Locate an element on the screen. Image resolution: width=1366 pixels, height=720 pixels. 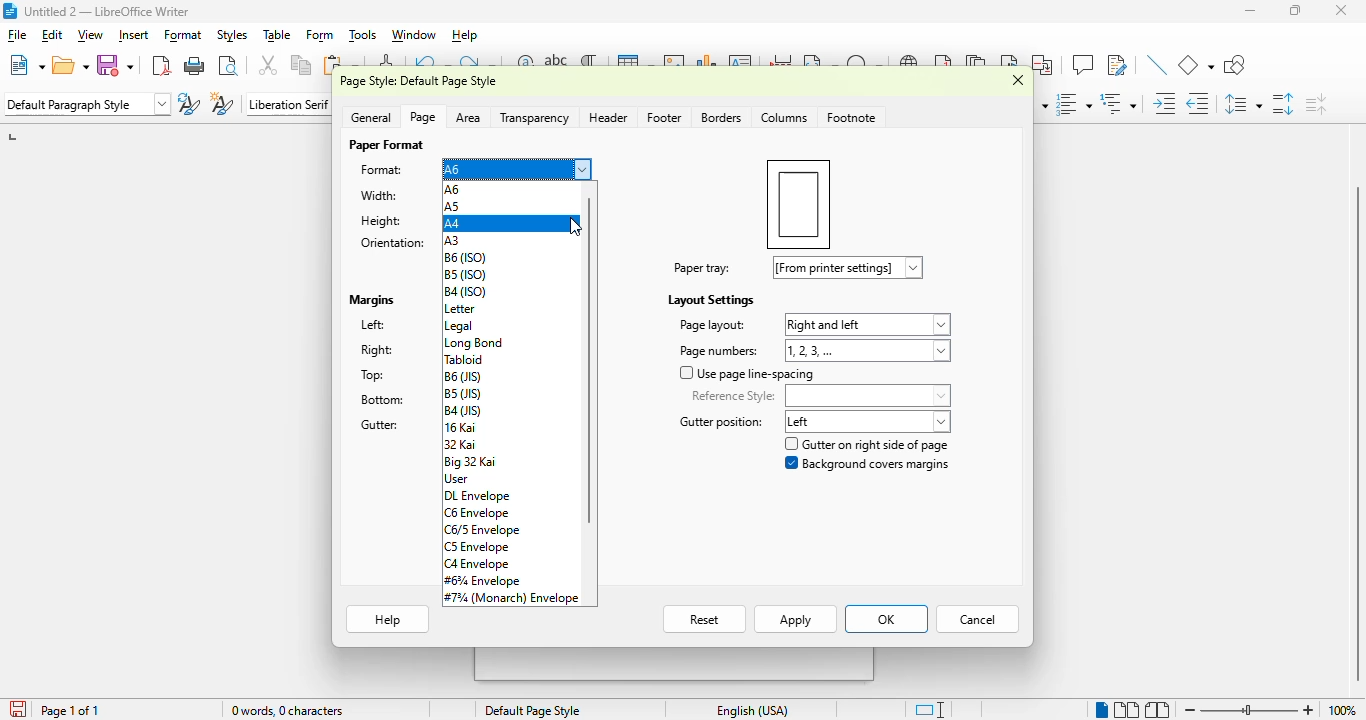
header is located at coordinates (608, 117).